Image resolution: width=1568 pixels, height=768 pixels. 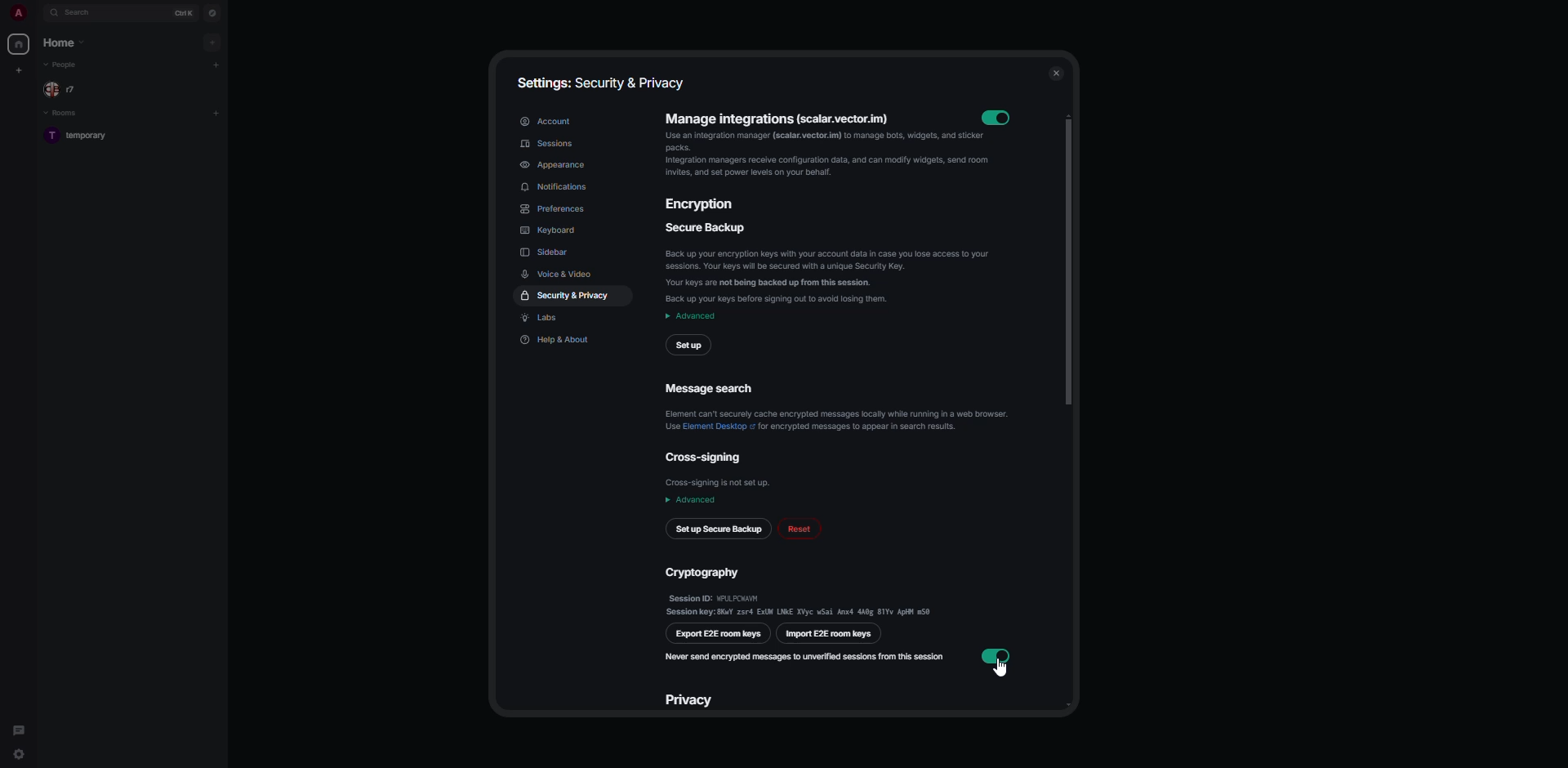 What do you see at coordinates (546, 252) in the screenshot?
I see `sidebar` at bounding box center [546, 252].